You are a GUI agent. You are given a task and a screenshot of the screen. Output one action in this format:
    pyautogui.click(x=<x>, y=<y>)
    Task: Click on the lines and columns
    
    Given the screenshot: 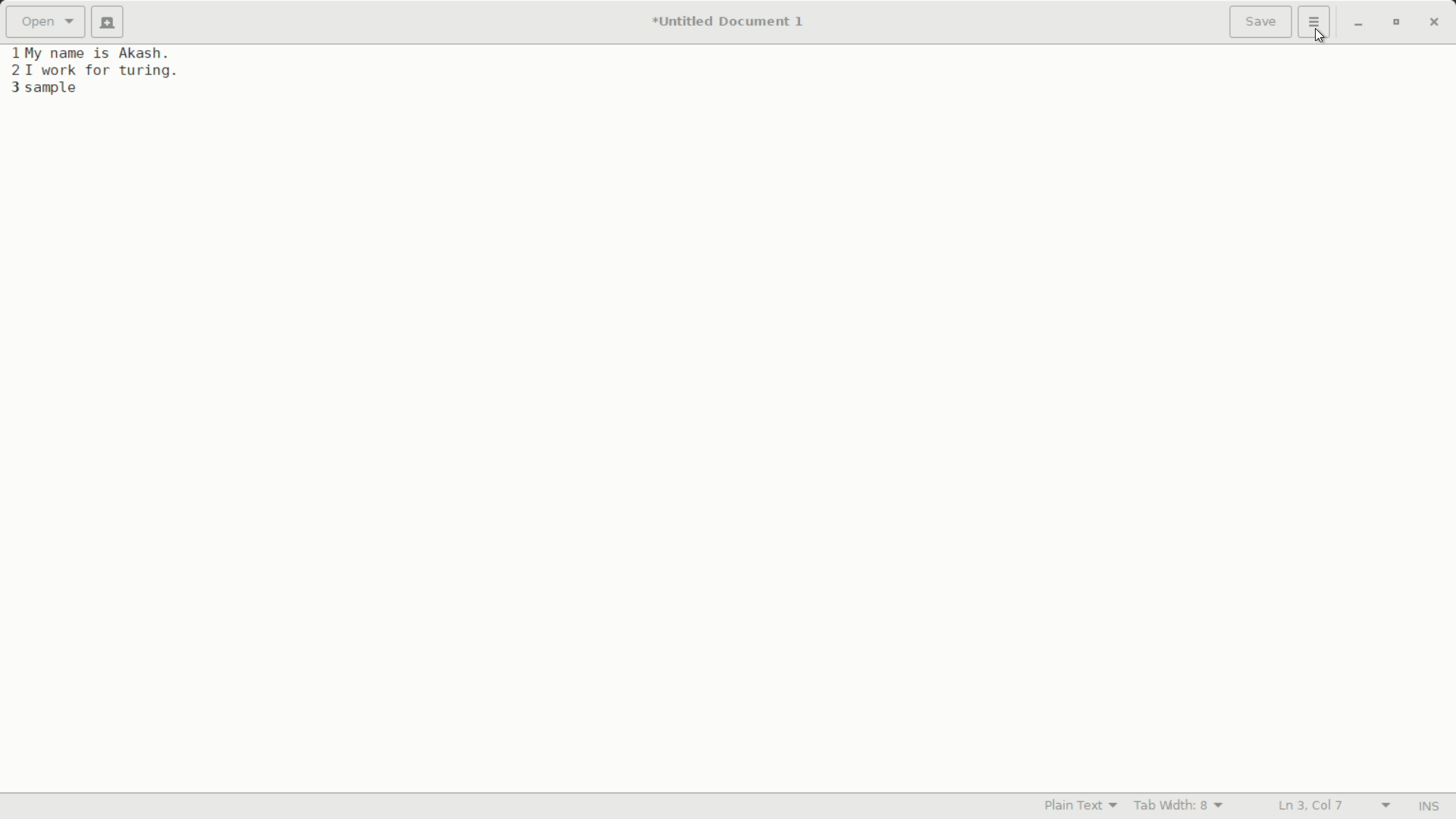 What is the action you would take?
    pyautogui.click(x=1332, y=806)
    